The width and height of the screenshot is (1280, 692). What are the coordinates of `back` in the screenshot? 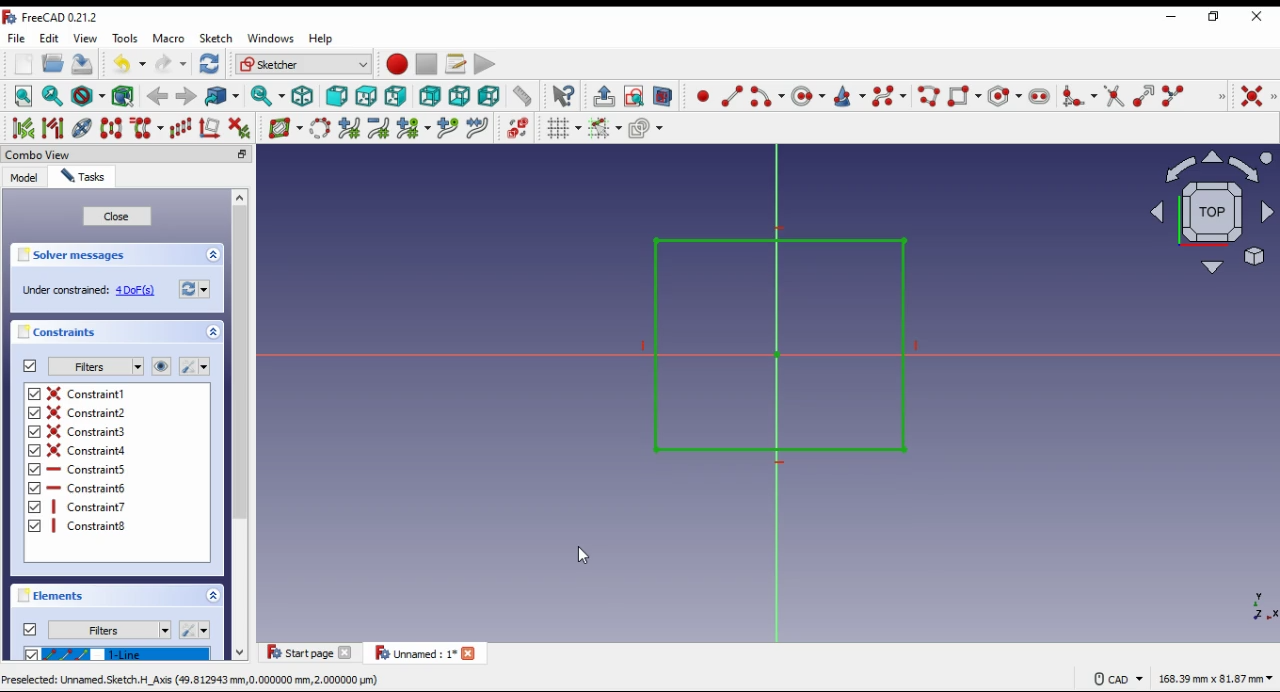 It's located at (159, 98).